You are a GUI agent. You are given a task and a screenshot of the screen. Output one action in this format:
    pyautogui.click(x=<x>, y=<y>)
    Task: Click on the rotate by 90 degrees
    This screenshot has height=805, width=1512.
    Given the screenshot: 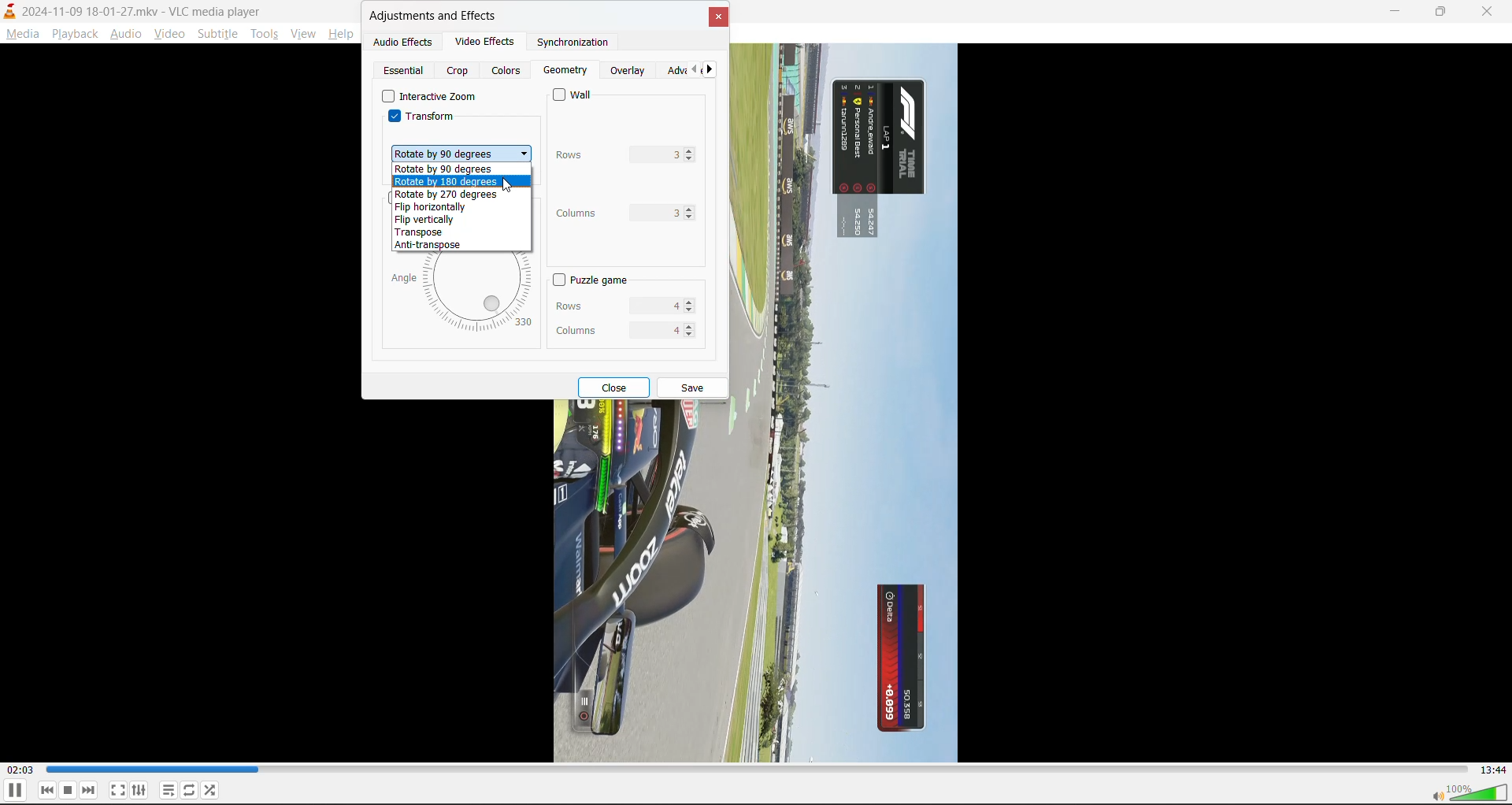 What is the action you would take?
    pyautogui.click(x=461, y=152)
    